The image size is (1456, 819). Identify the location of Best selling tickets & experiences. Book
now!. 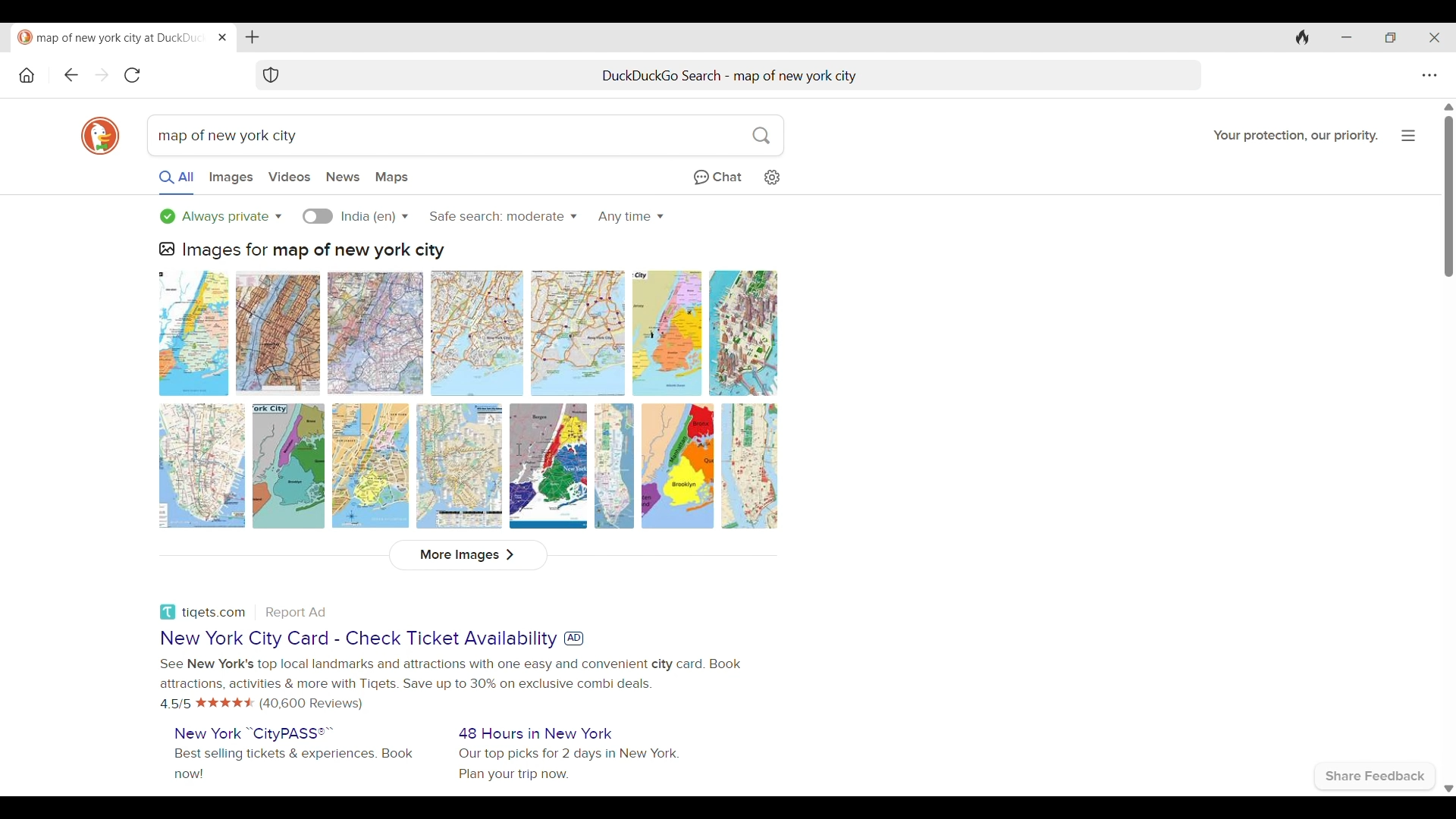
(294, 764).